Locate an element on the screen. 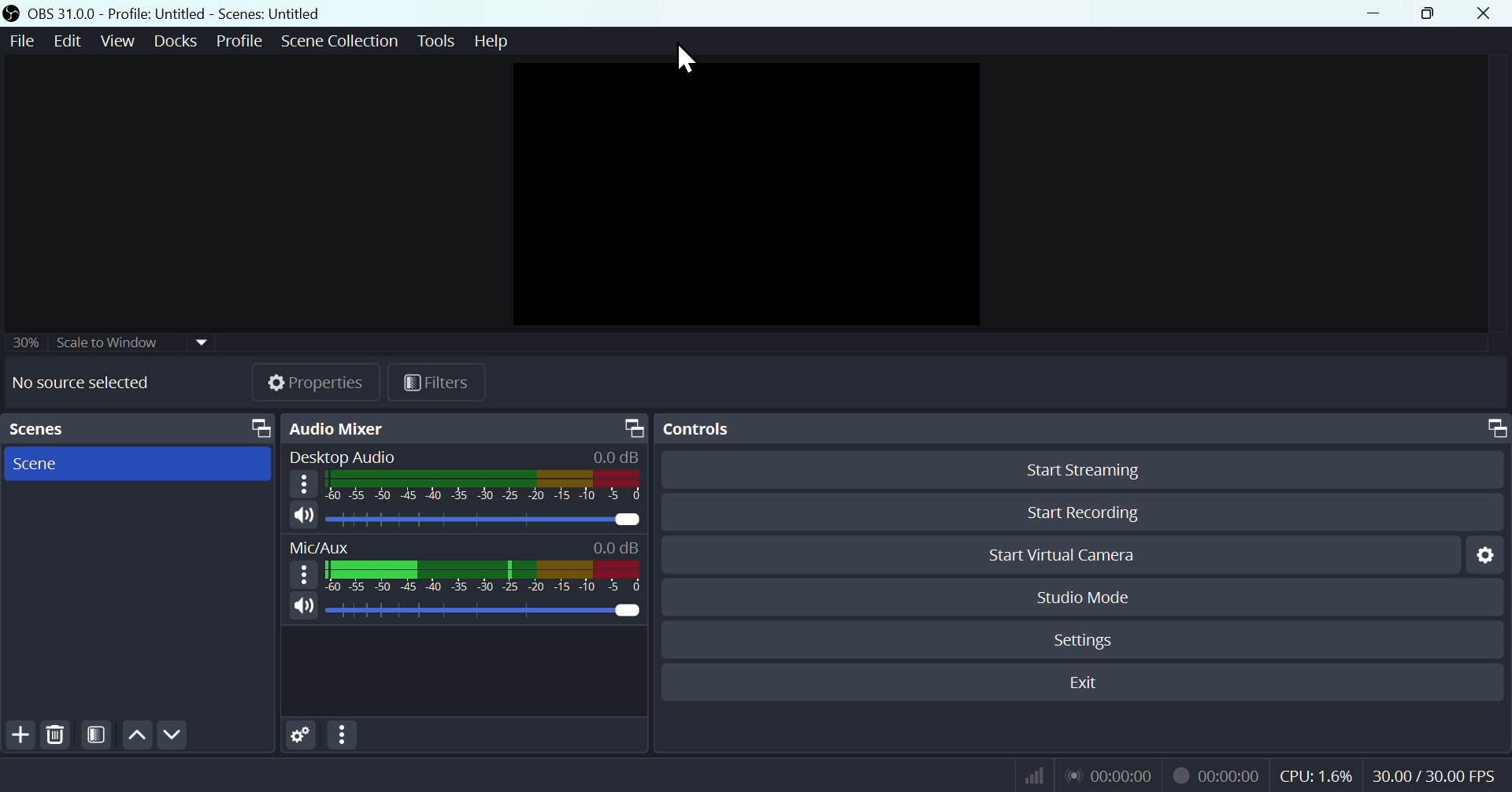 The image size is (1512, 792). Scenes is located at coordinates (143, 427).